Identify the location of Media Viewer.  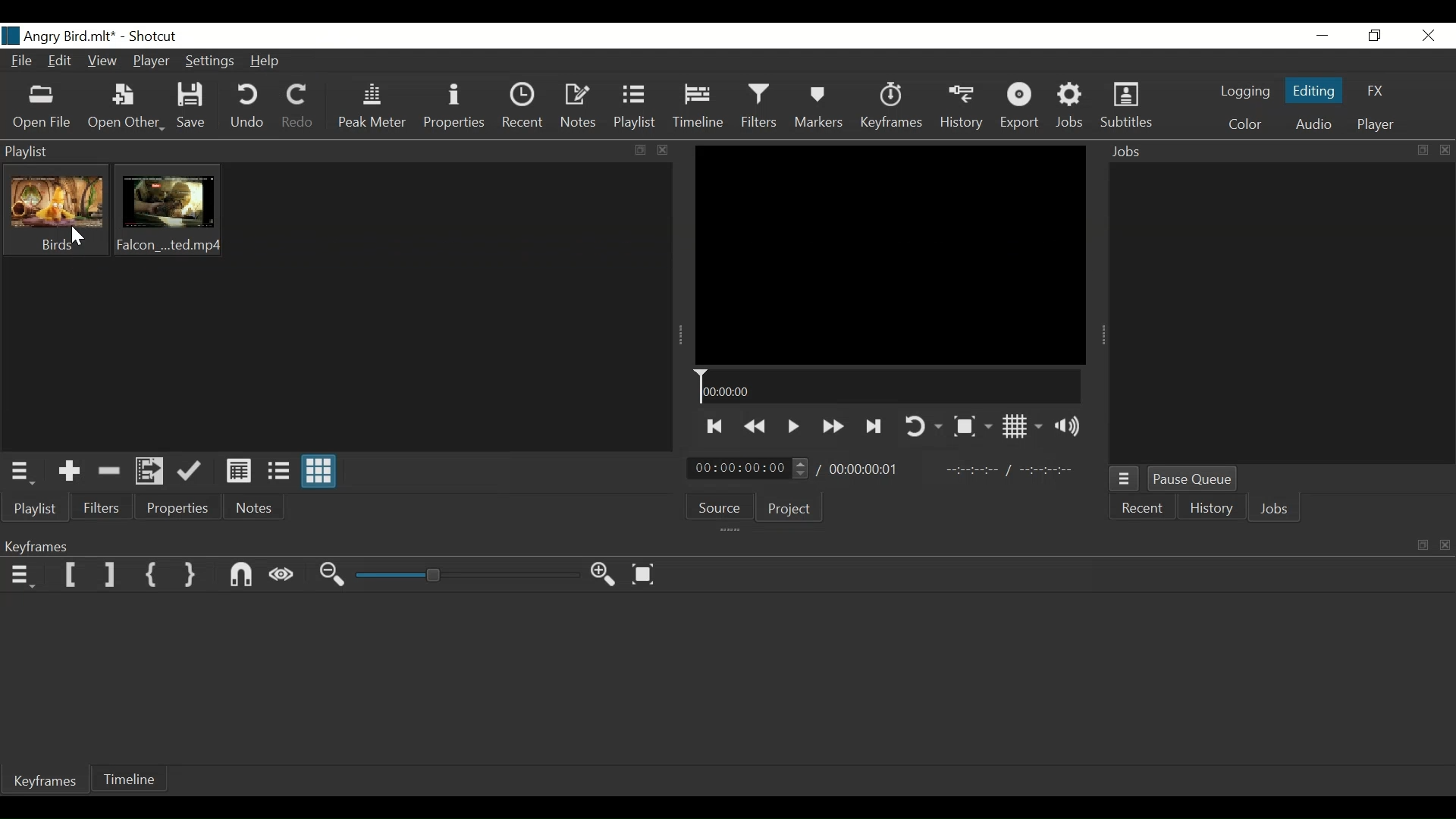
(890, 255).